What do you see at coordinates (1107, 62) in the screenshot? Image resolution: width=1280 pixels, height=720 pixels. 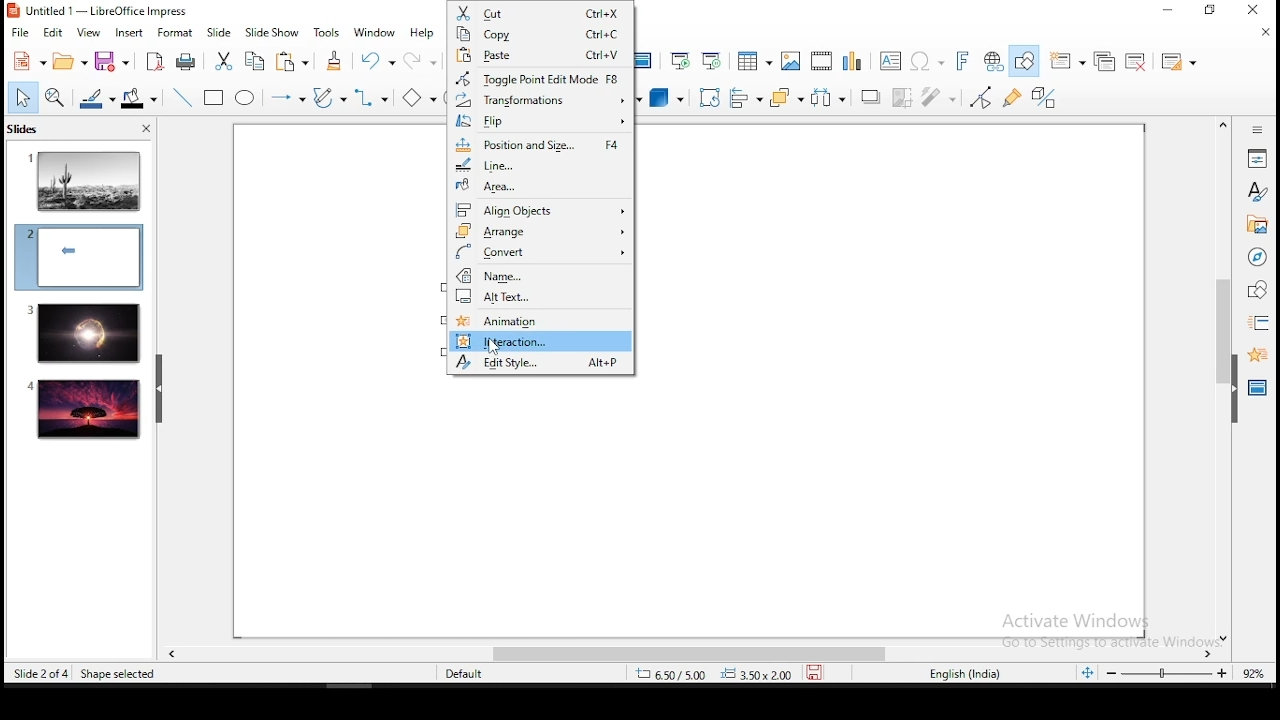 I see `duplicate slide` at bounding box center [1107, 62].